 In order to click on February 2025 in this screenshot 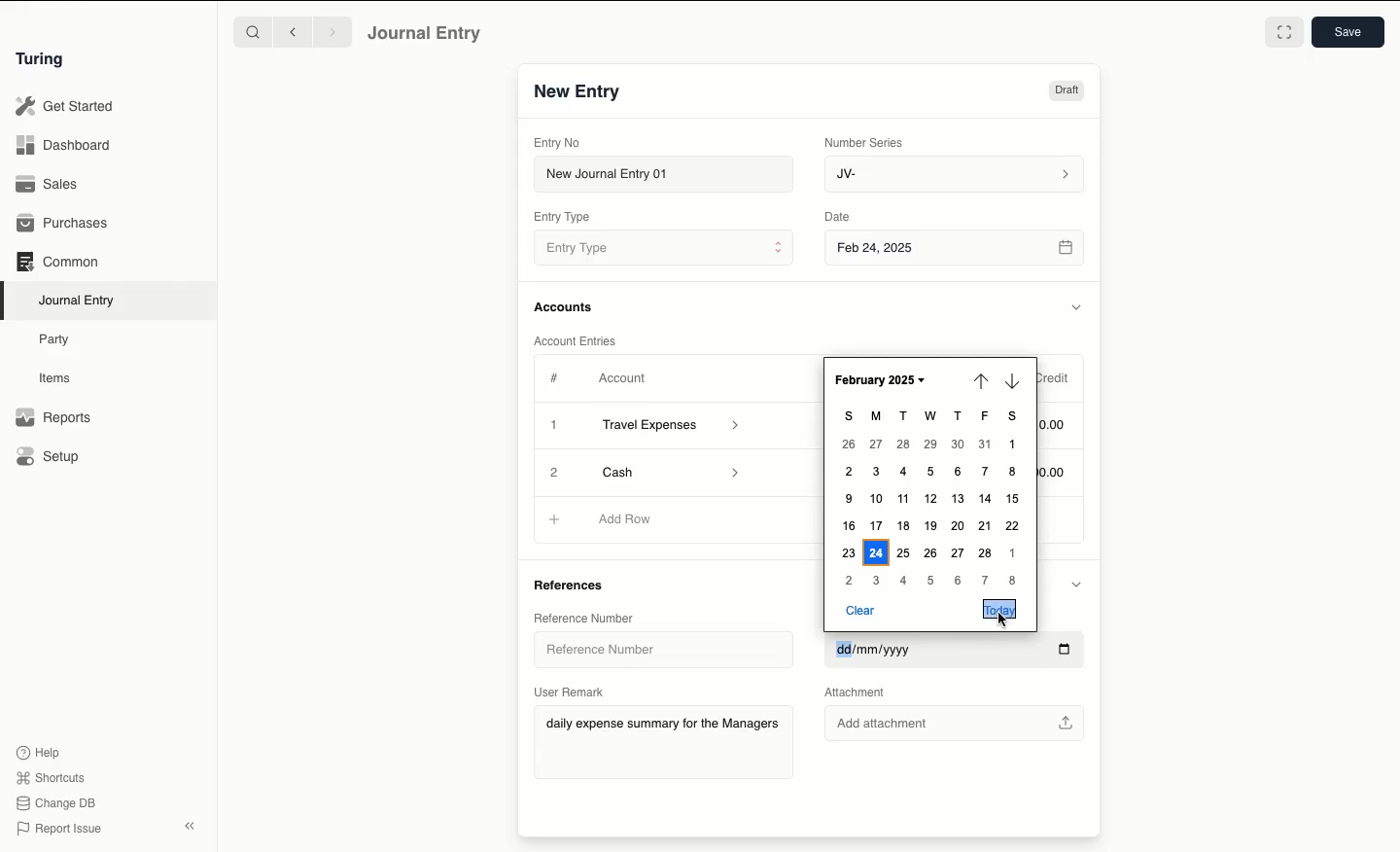, I will do `click(880, 380)`.